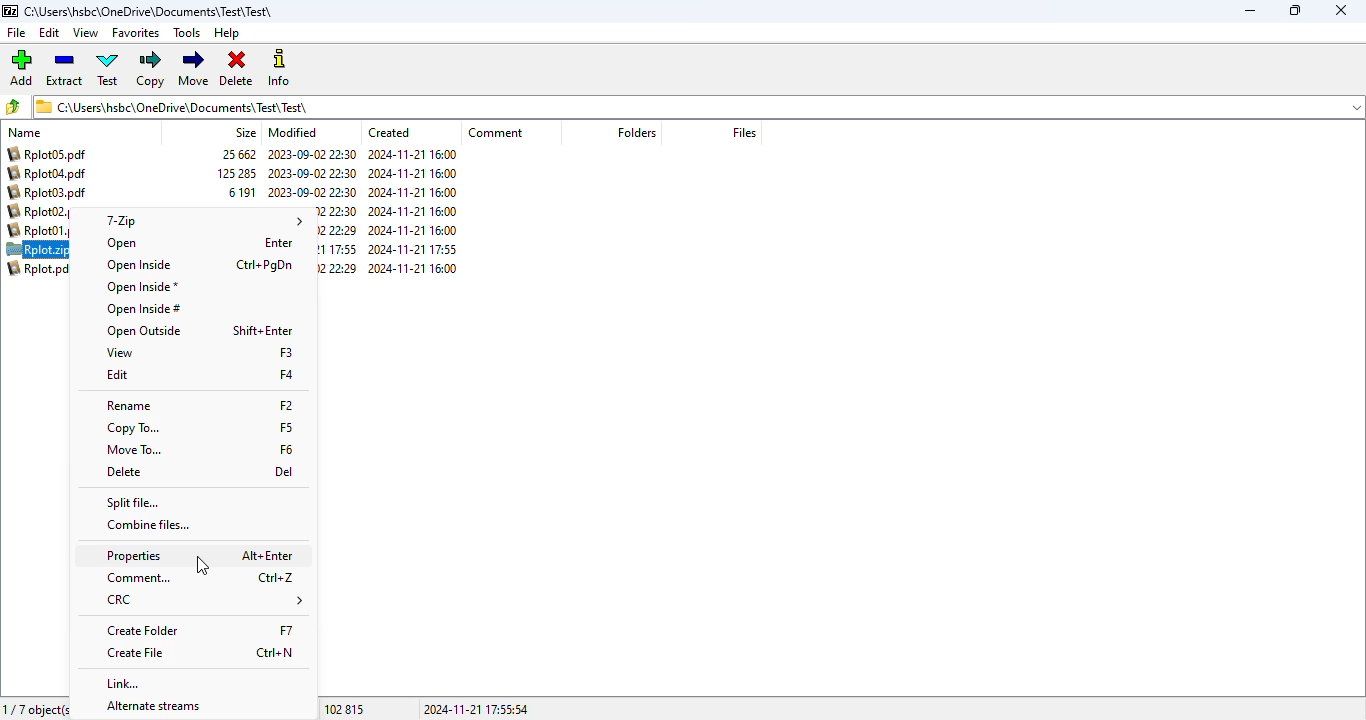  I want to click on view, so click(120, 353).